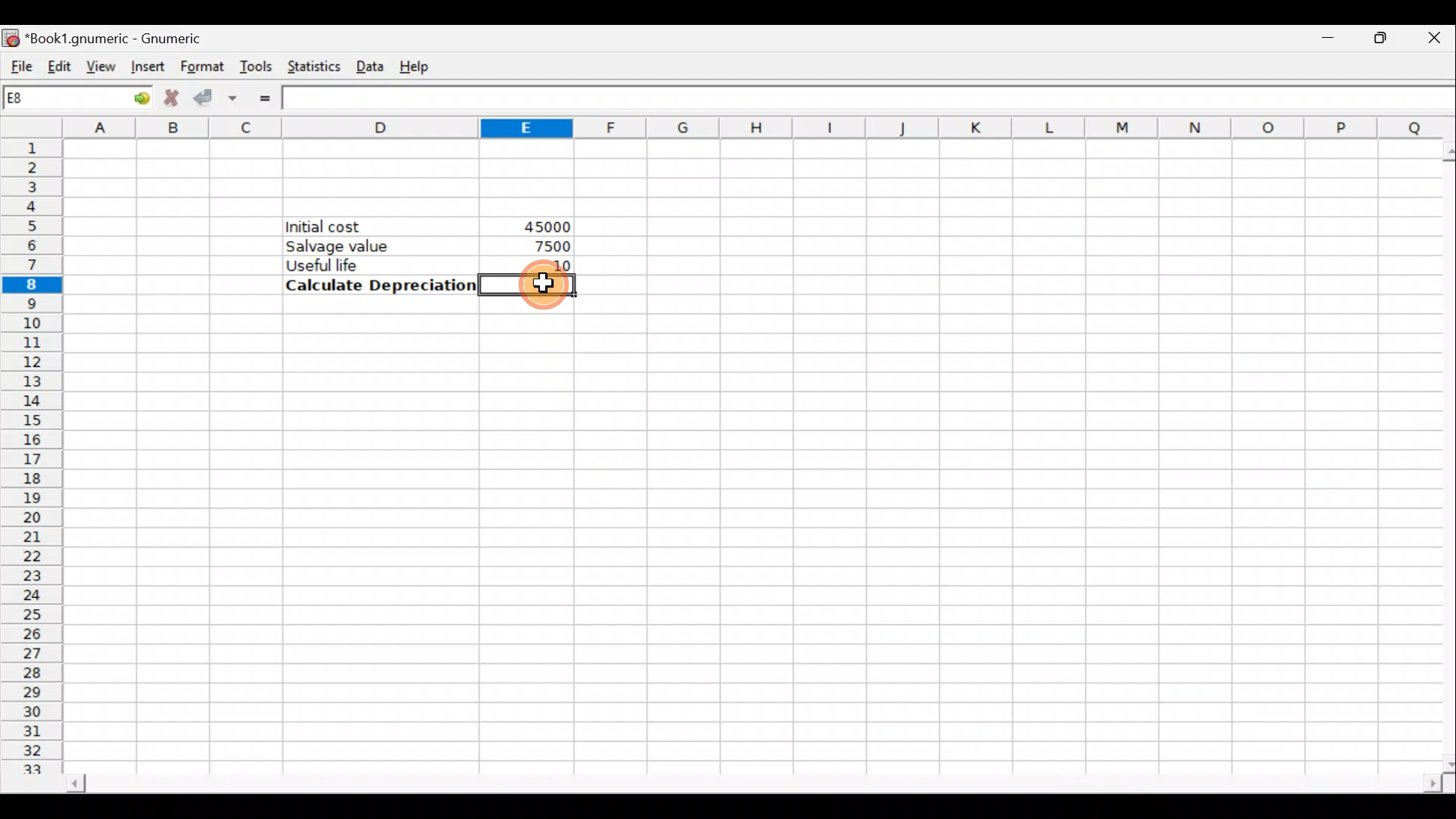  What do you see at coordinates (739, 780) in the screenshot?
I see `Scroll bar` at bounding box center [739, 780].